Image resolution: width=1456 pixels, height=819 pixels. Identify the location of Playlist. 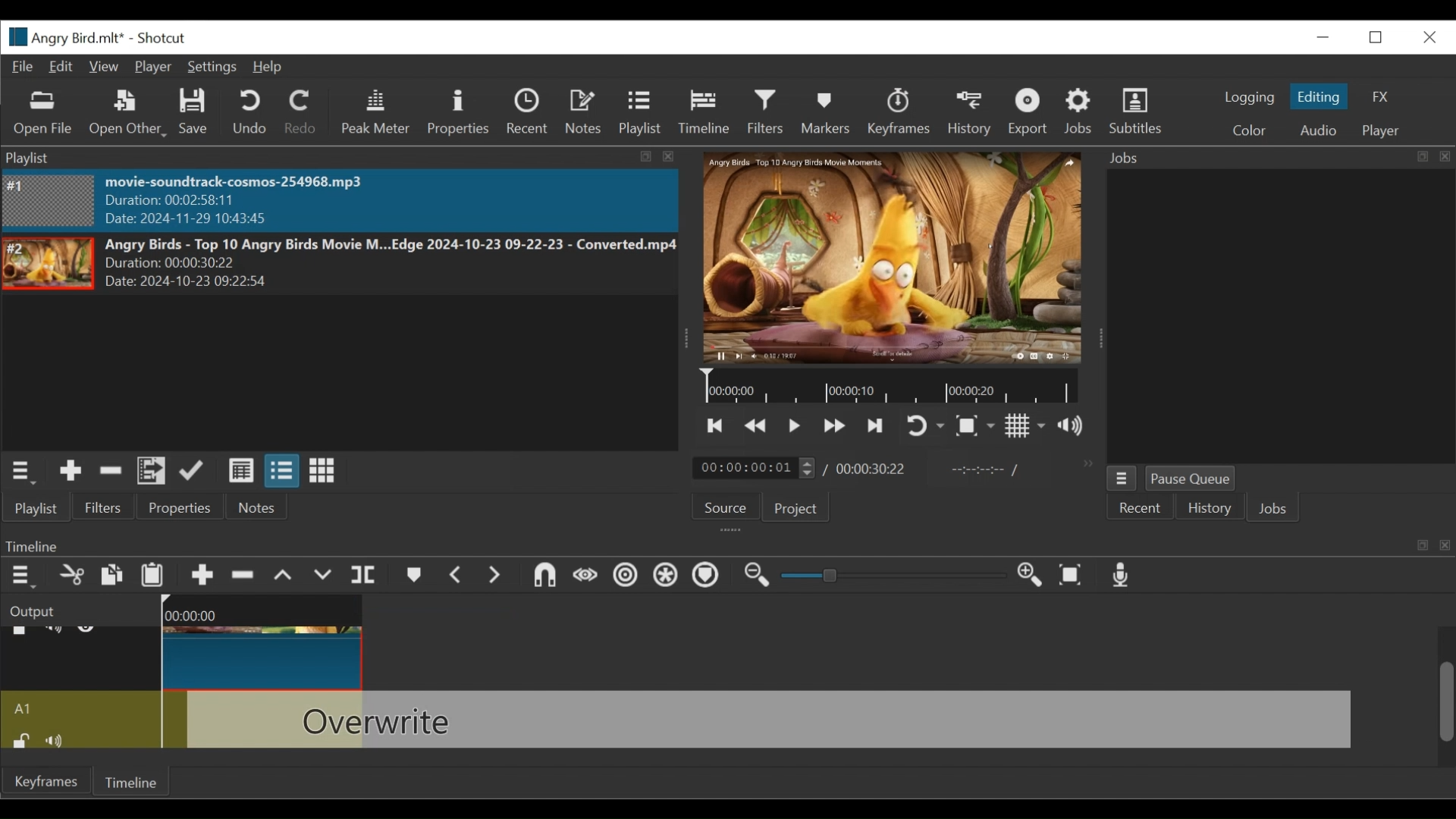
(42, 507).